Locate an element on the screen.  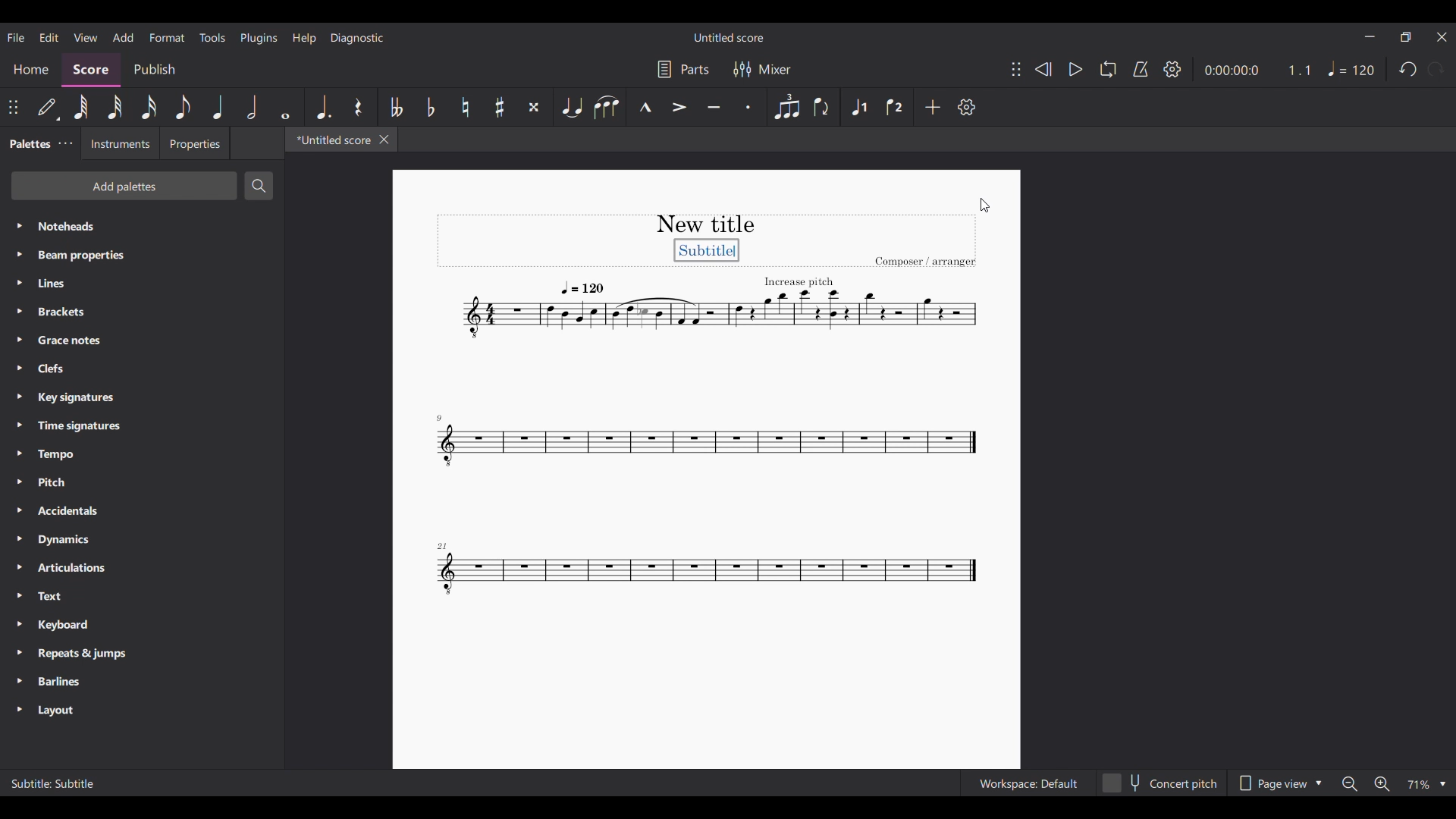
Tuplet is located at coordinates (786, 107).